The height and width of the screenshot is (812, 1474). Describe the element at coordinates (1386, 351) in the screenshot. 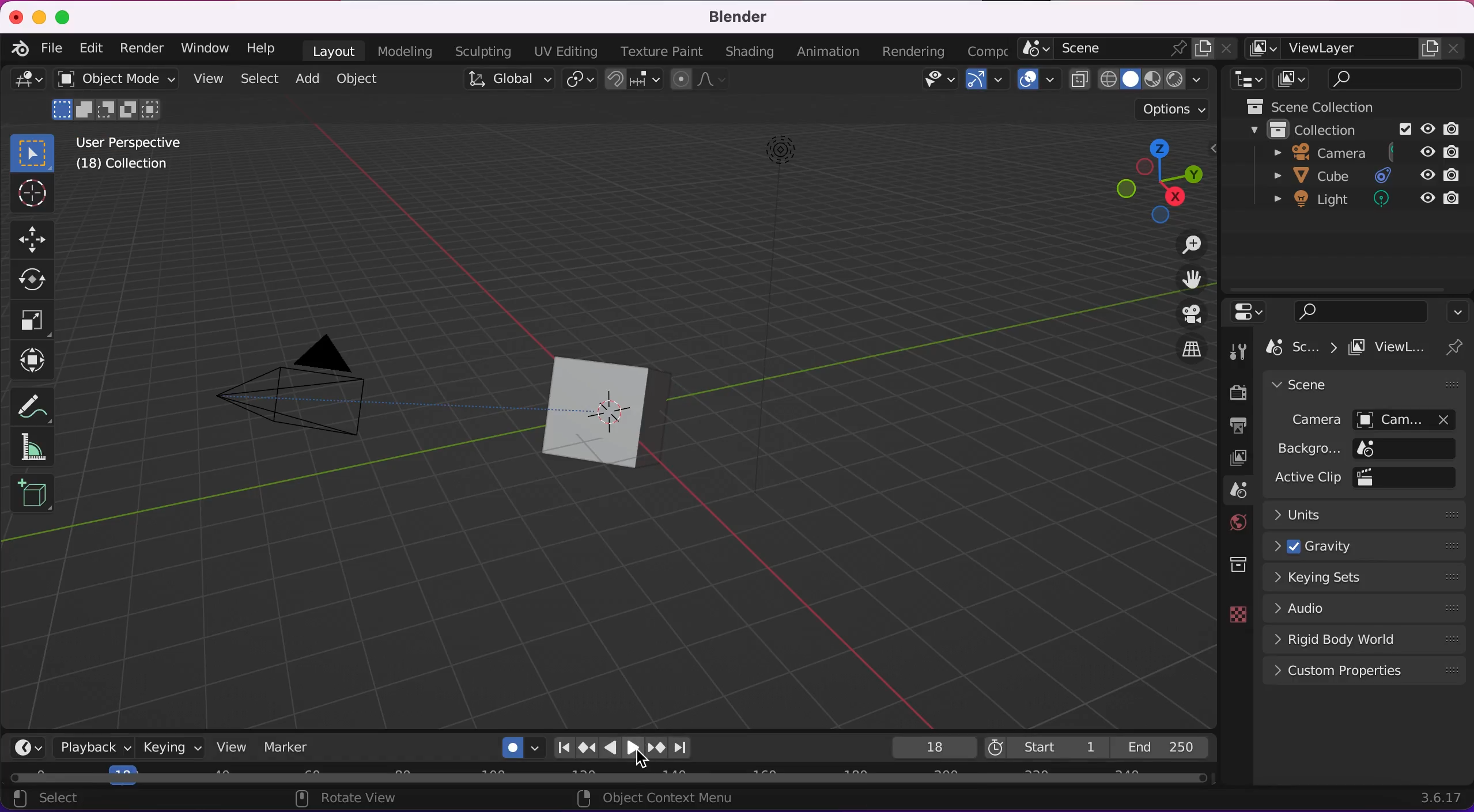

I see `viewlayer` at that location.